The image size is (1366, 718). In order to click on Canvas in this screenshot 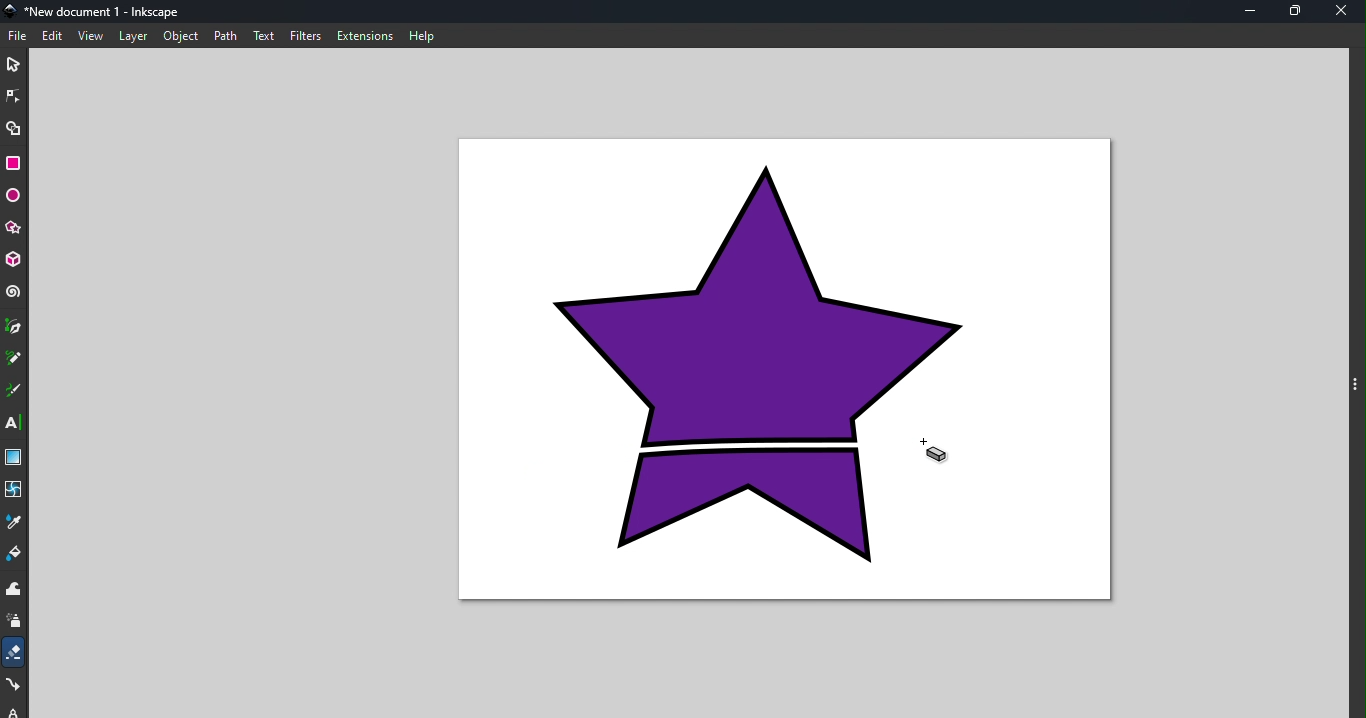, I will do `click(775, 373)`.